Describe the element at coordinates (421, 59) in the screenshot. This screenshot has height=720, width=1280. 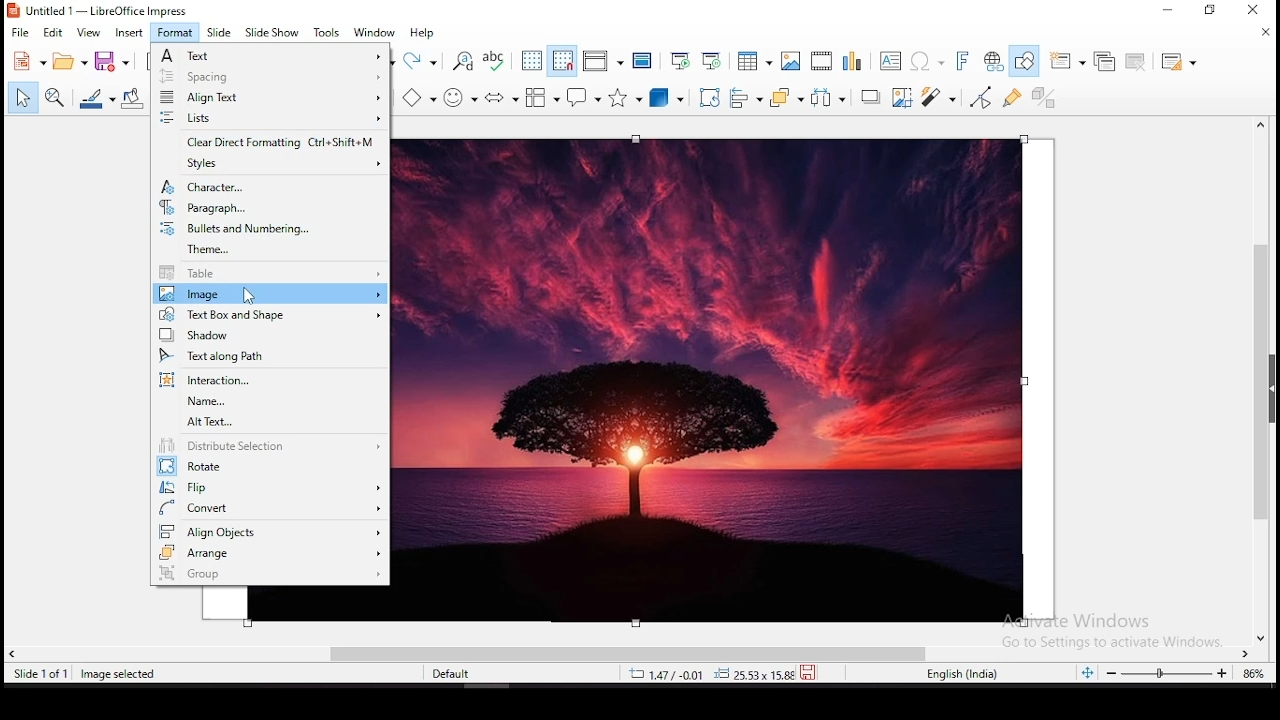
I see `redo` at that location.